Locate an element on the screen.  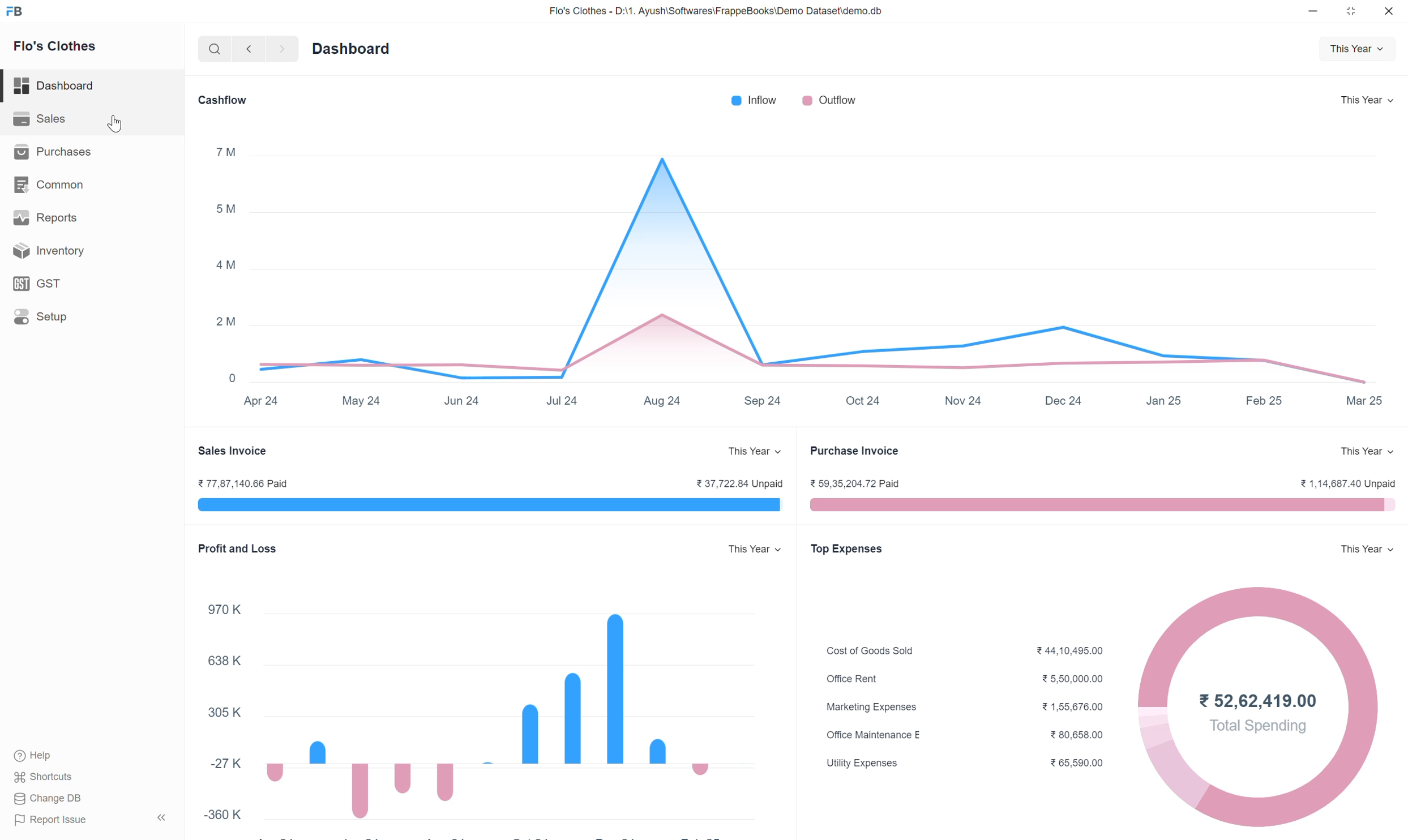
Hide sidebar is located at coordinates (162, 818).